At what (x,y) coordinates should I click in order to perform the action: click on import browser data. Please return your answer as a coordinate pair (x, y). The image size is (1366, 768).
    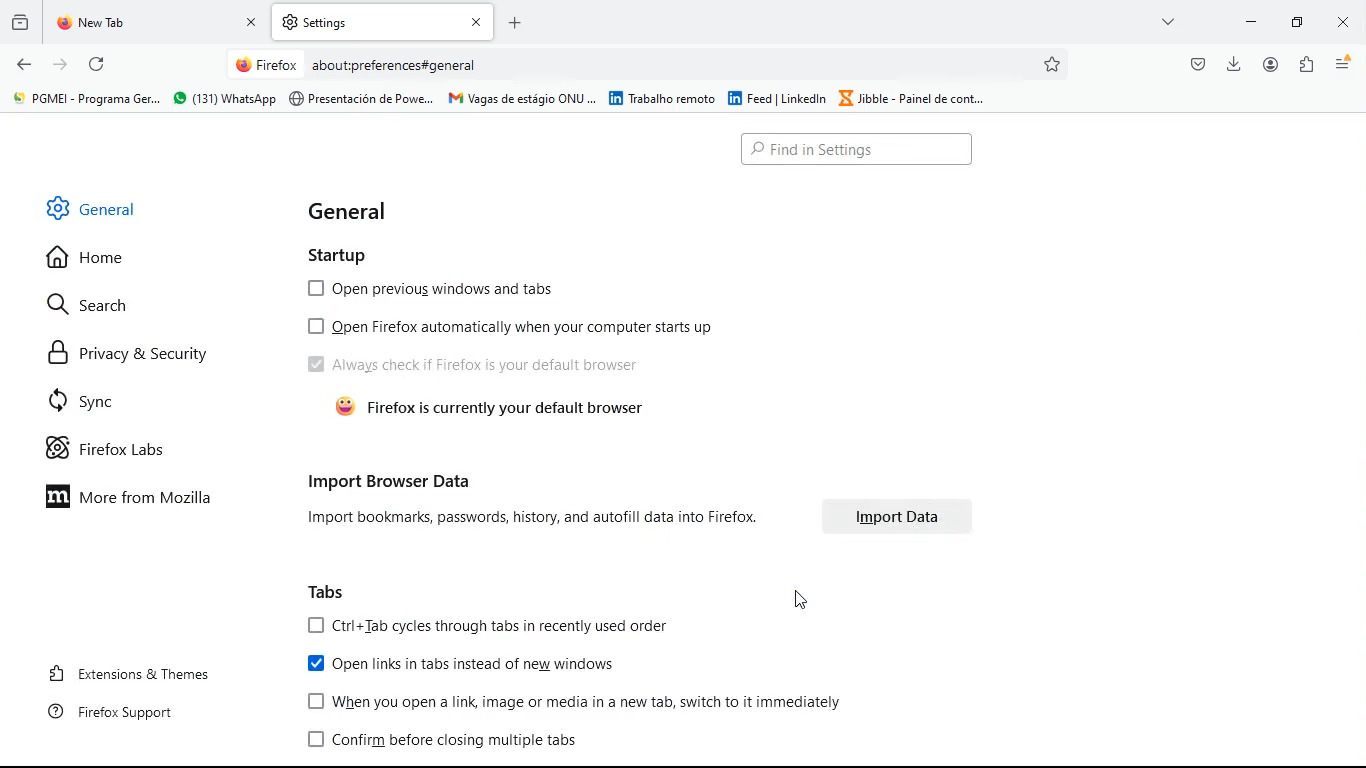
    Looking at the image, I should click on (389, 481).